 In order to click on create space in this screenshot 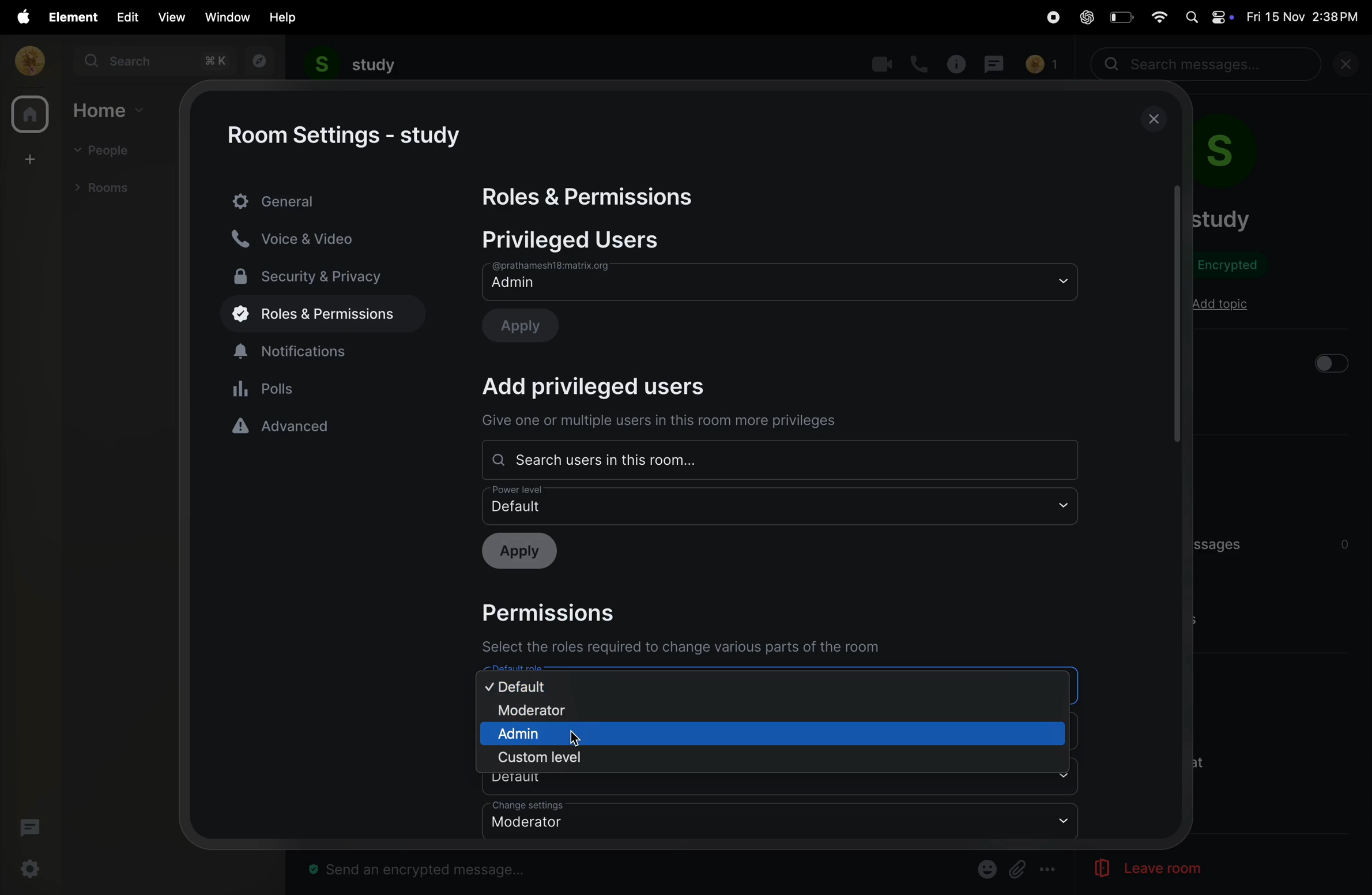, I will do `click(28, 158)`.